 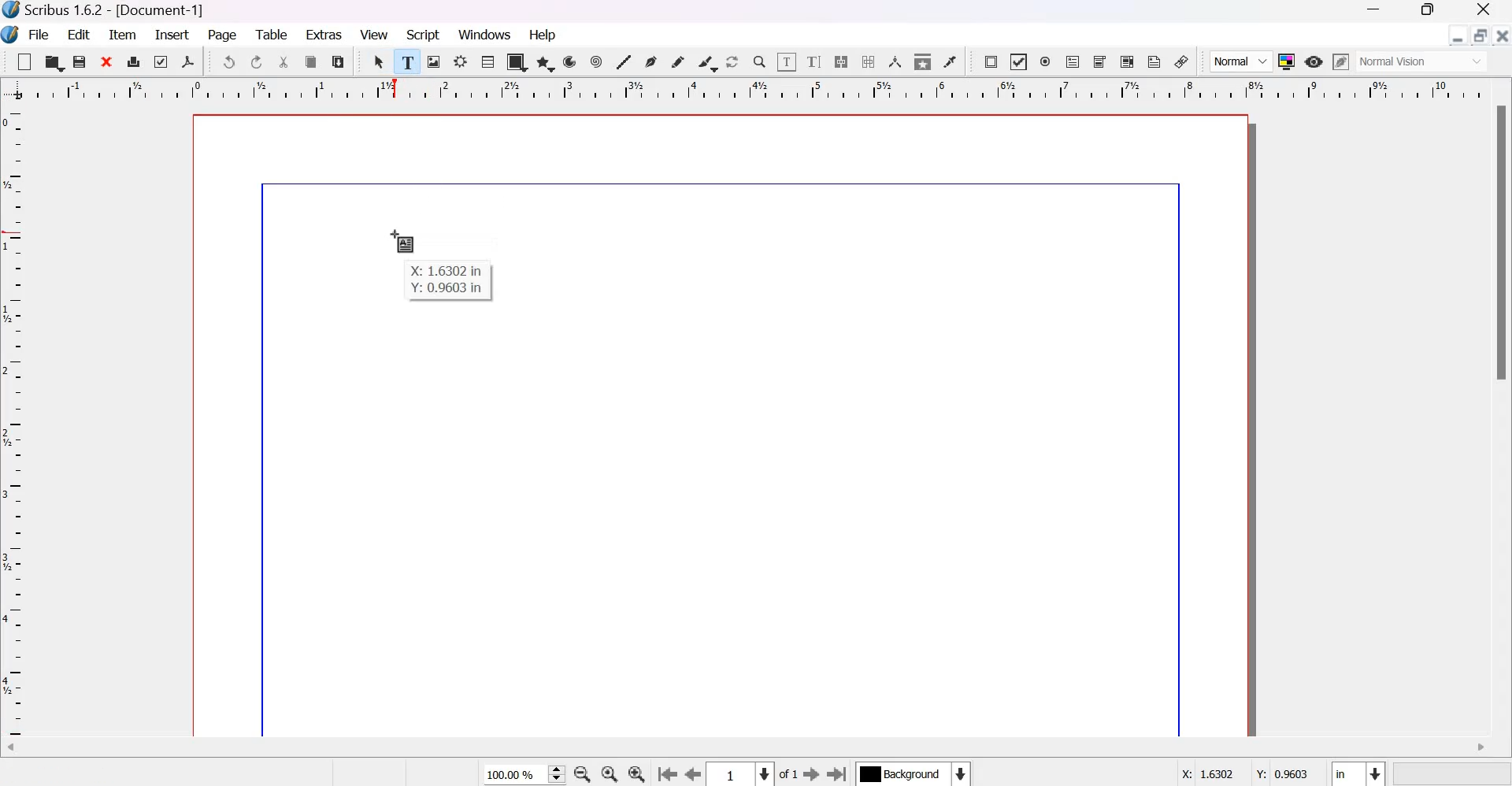 What do you see at coordinates (172, 35) in the screenshot?
I see `Insert` at bounding box center [172, 35].